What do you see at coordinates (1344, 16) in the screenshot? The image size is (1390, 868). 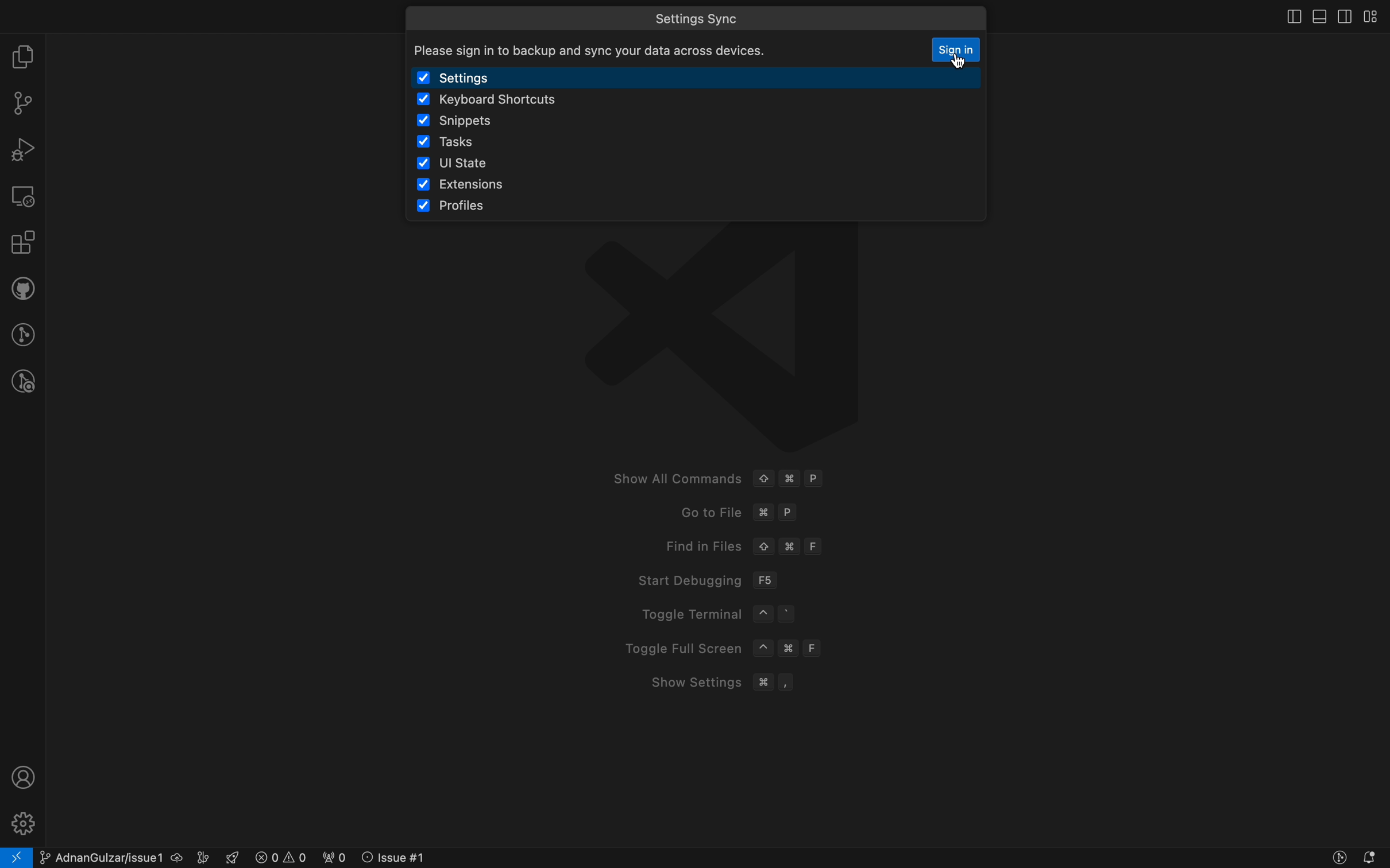 I see `toggle secondary bar` at bounding box center [1344, 16].